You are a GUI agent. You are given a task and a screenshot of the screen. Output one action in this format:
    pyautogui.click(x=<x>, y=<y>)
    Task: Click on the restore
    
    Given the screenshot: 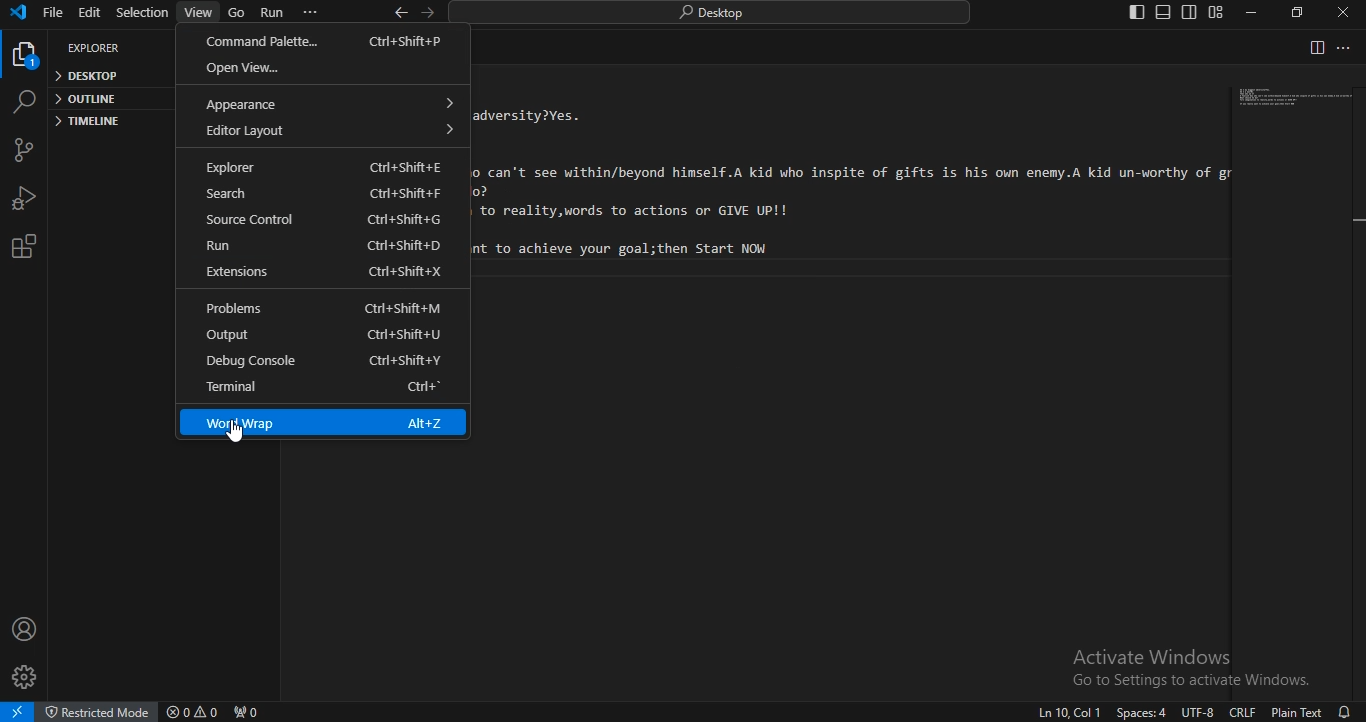 What is the action you would take?
    pyautogui.click(x=1301, y=11)
    